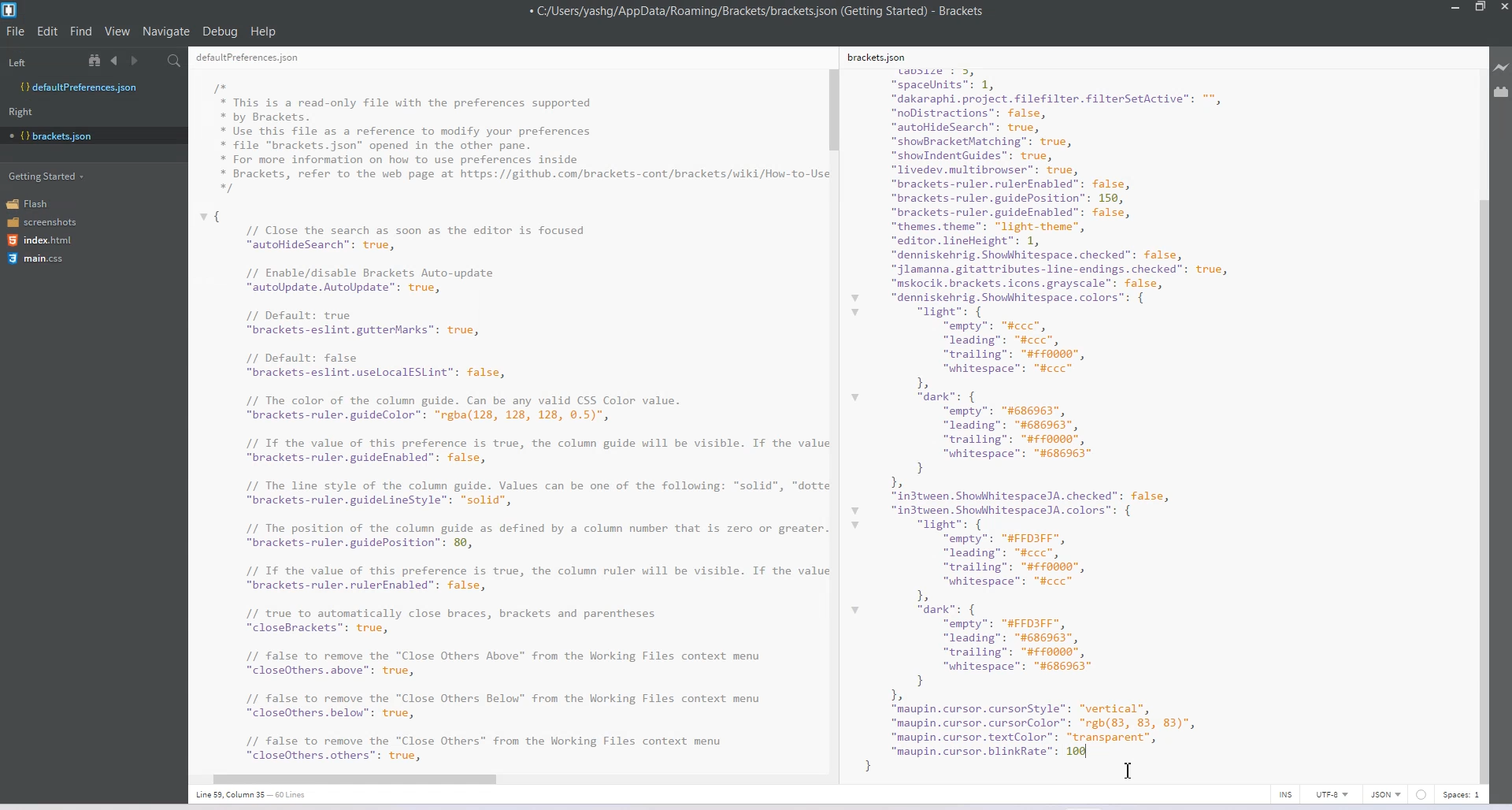 This screenshot has height=810, width=1512. I want to click on Close, so click(1503, 9).